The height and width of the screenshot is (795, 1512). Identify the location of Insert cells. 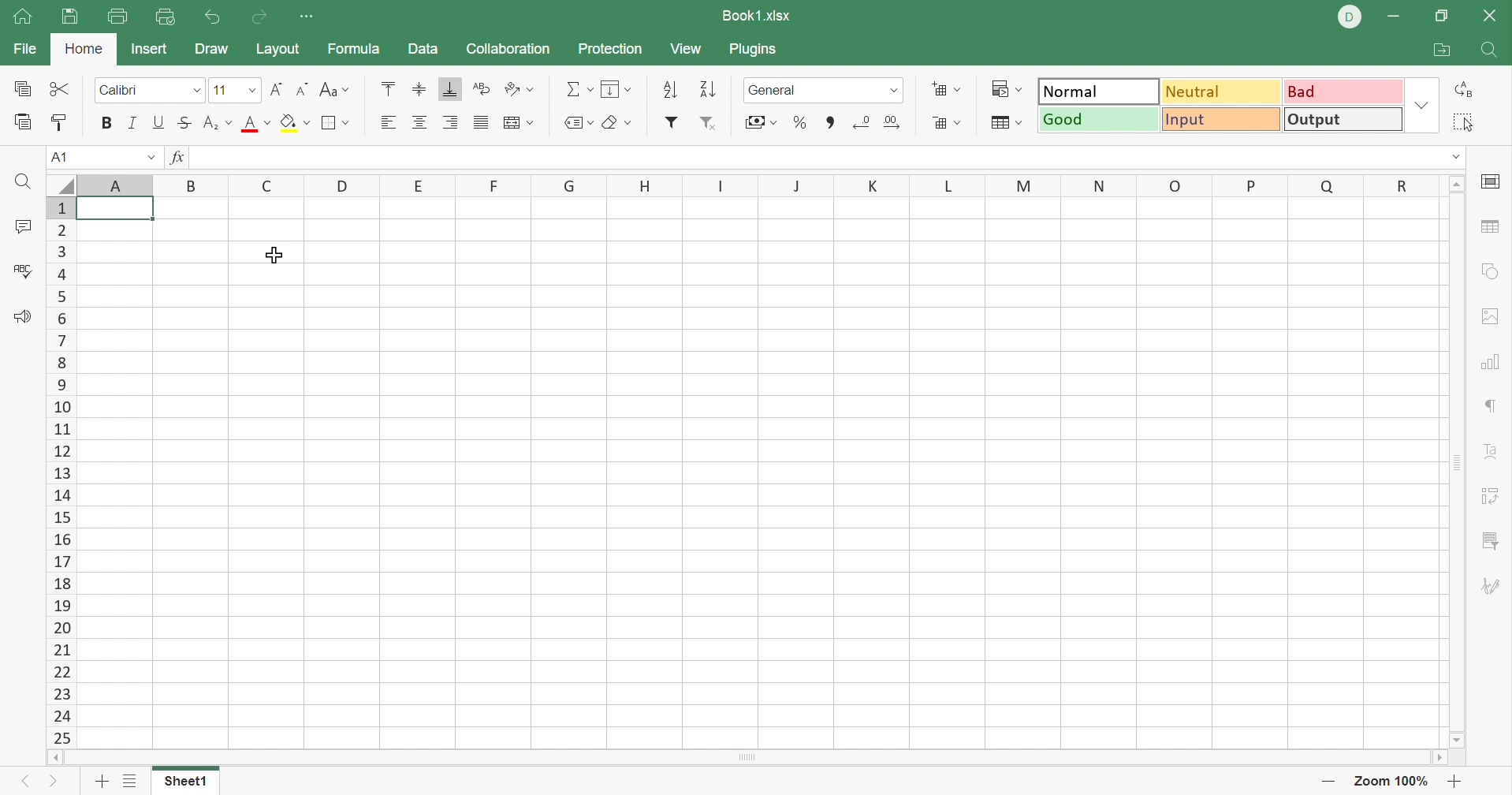
(944, 88).